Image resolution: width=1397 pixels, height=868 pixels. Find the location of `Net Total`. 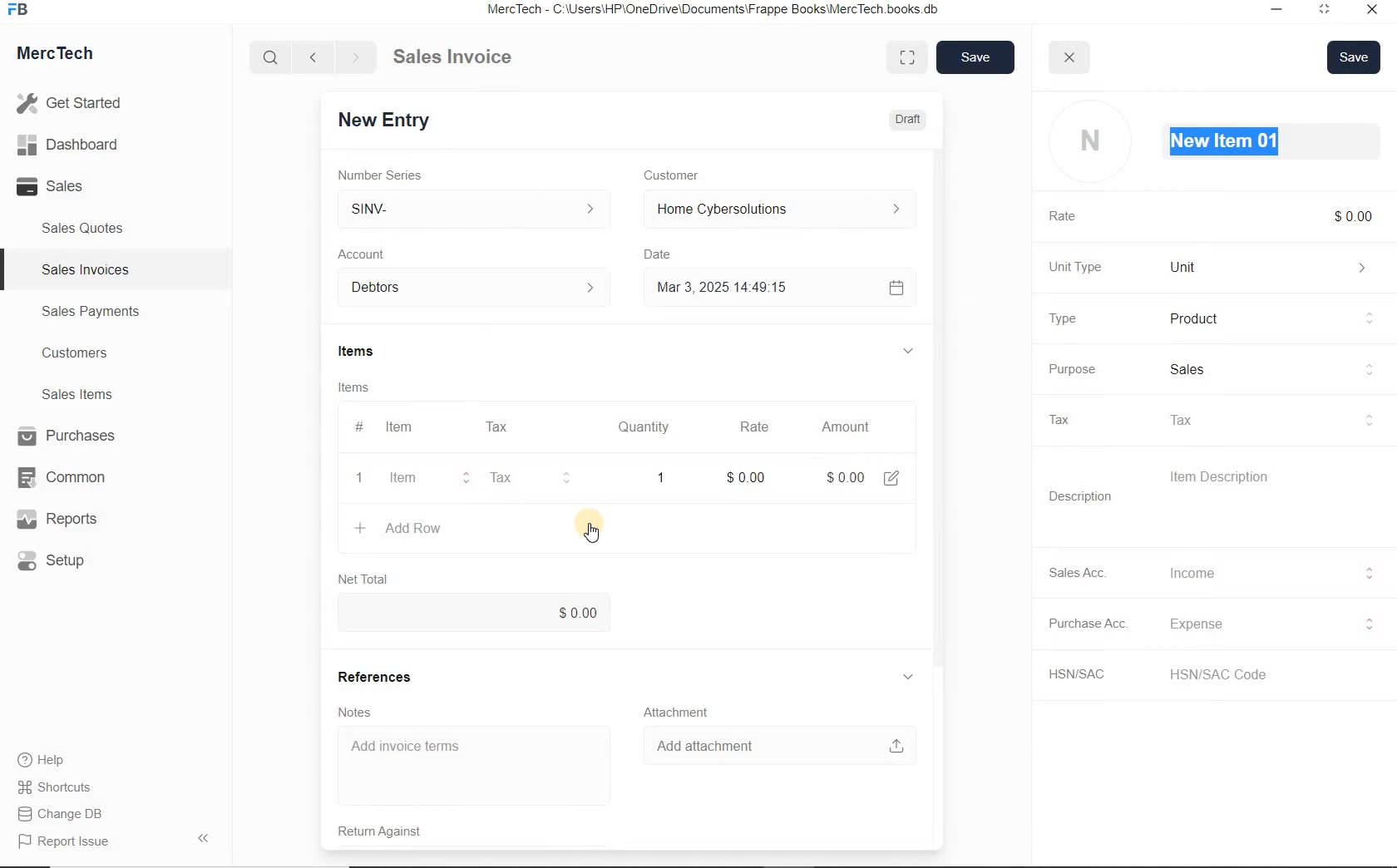

Net Total is located at coordinates (362, 579).